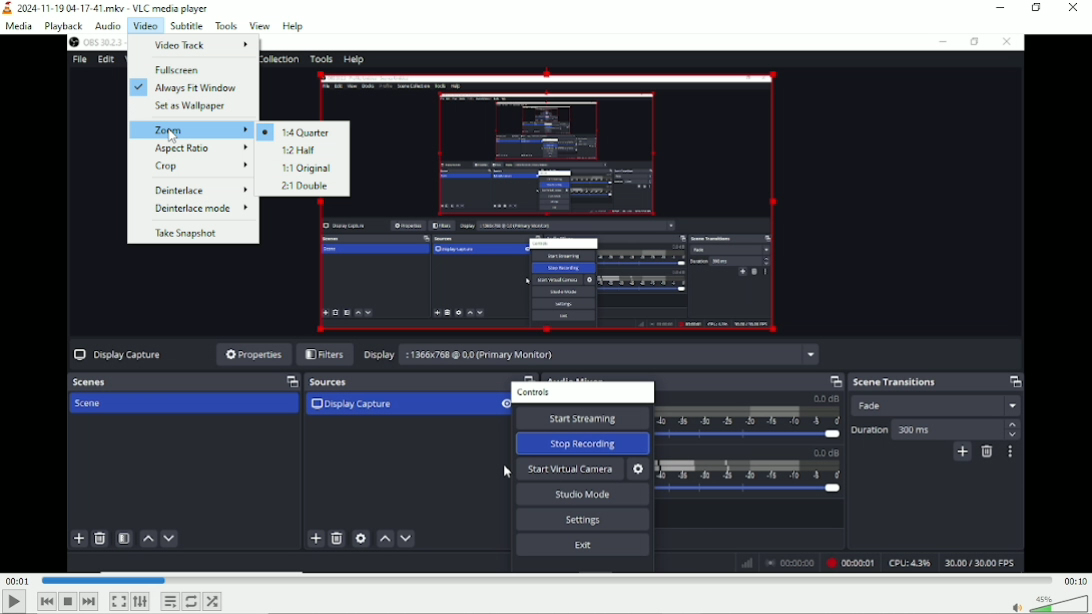  I want to click on set as wallpaper, so click(192, 106).